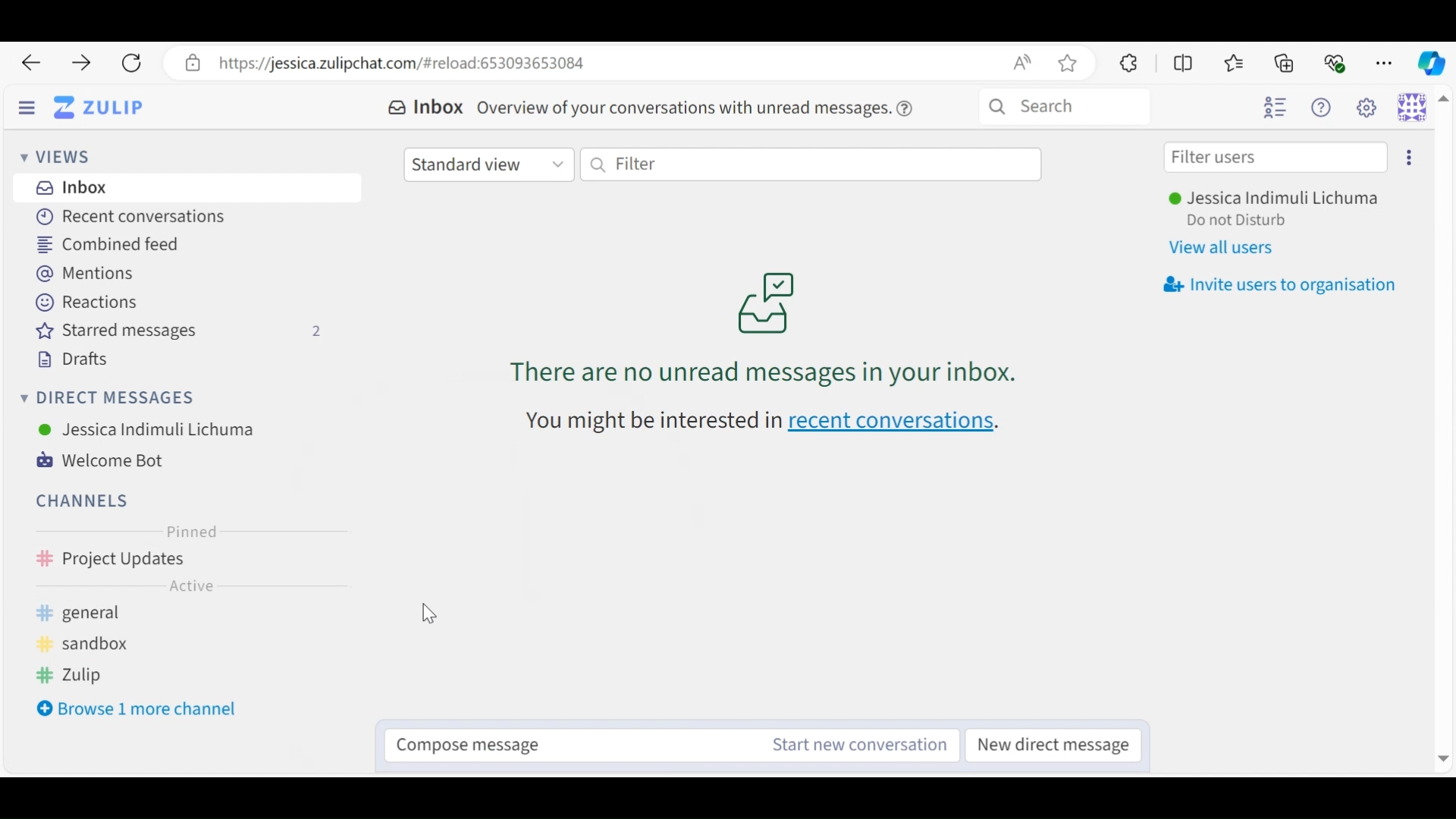 The height and width of the screenshot is (819, 1456). What do you see at coordinates (425, 108) in the screenshot?
I see `Inbox` at bounding box center [425, 108].